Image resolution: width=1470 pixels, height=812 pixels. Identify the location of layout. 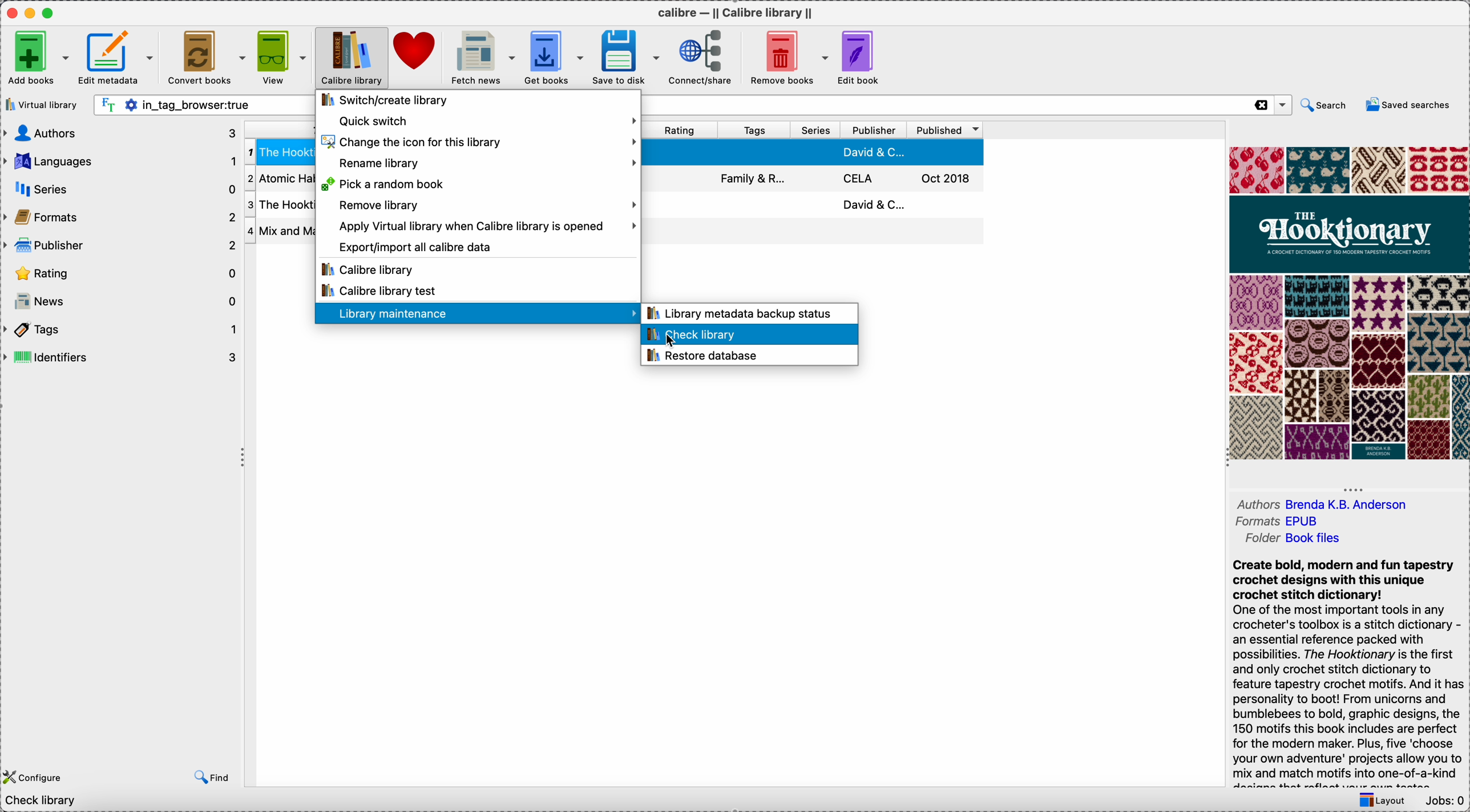
(1386, 800).